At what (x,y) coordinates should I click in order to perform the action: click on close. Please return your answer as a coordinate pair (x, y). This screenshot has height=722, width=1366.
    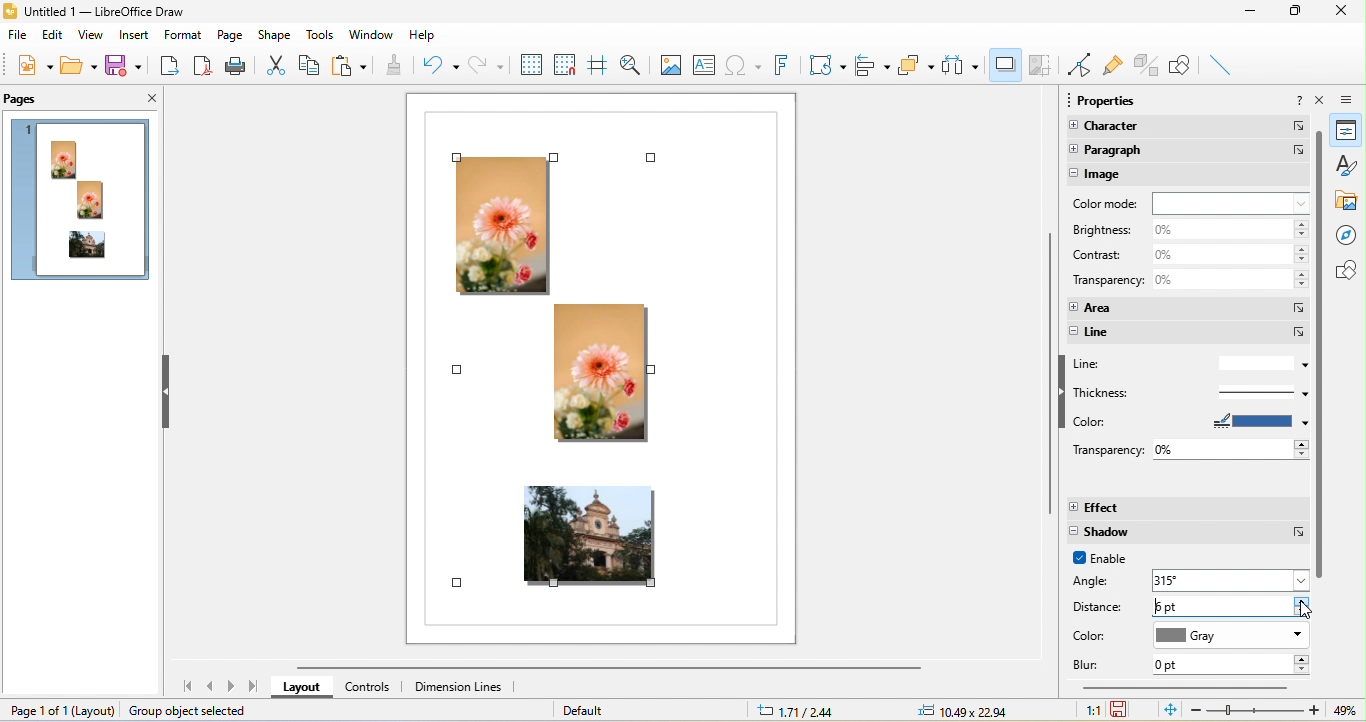
    Looking at the image, I should click on (1347, 12).